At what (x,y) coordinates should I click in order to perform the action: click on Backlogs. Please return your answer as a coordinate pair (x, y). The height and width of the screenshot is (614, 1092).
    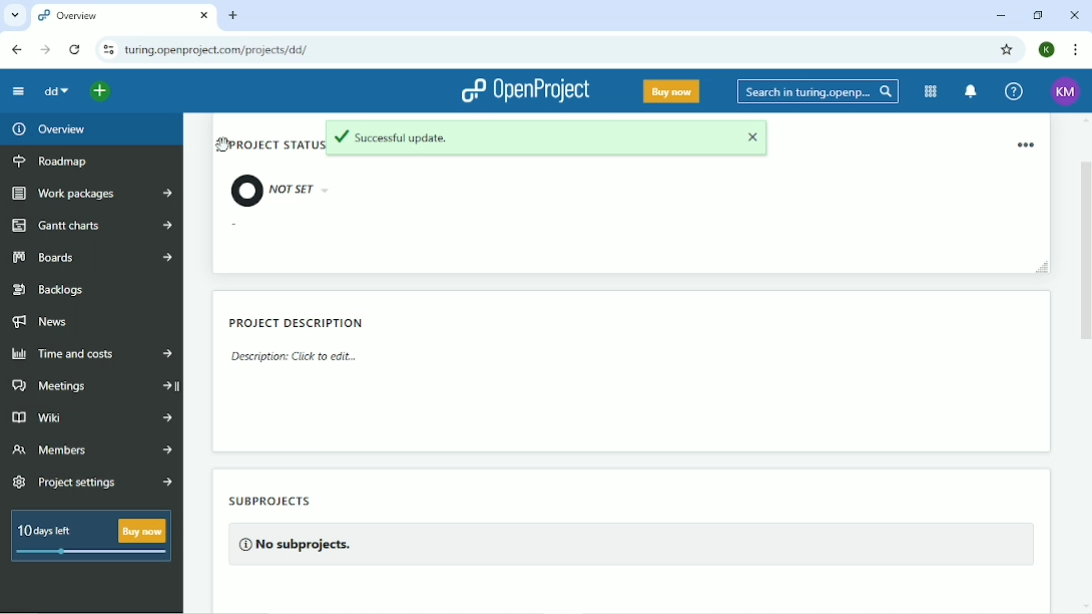
    Looking at the image, I should click on (49, 288).